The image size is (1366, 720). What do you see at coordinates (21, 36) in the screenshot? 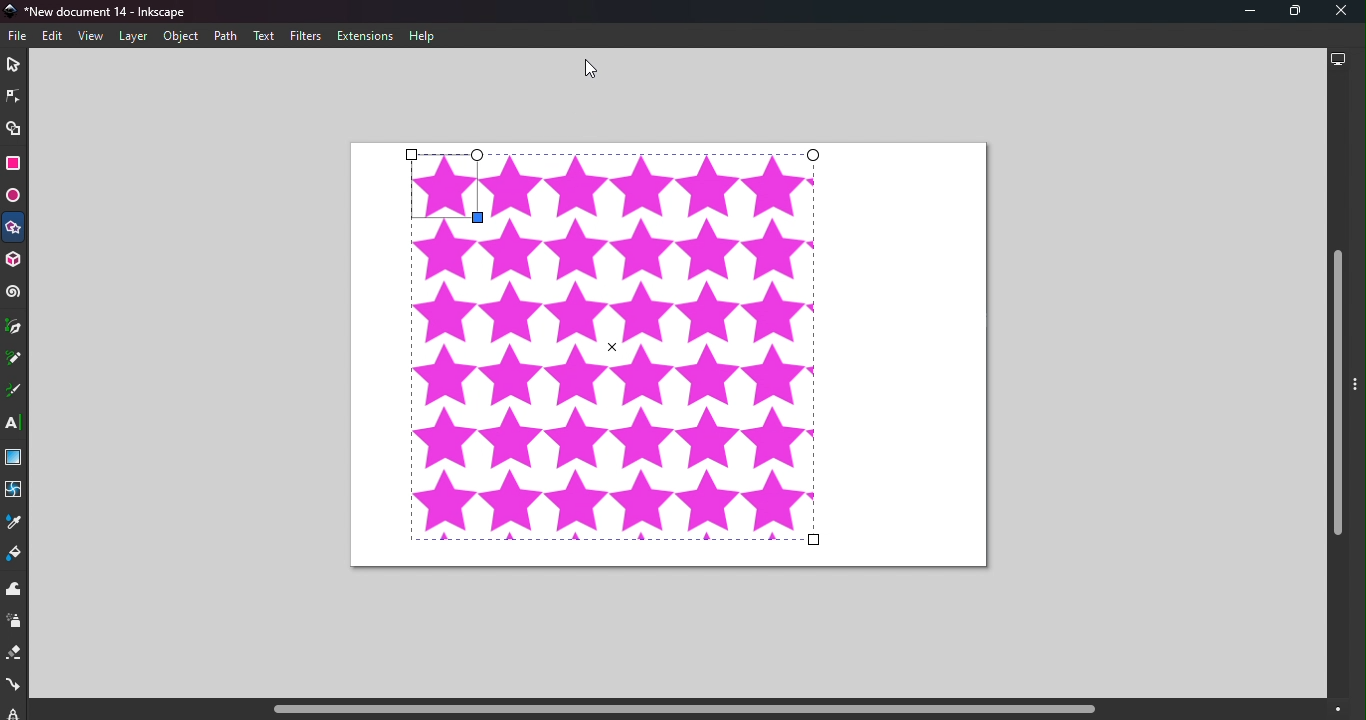
I see `File` at bounding box center [21, 36].